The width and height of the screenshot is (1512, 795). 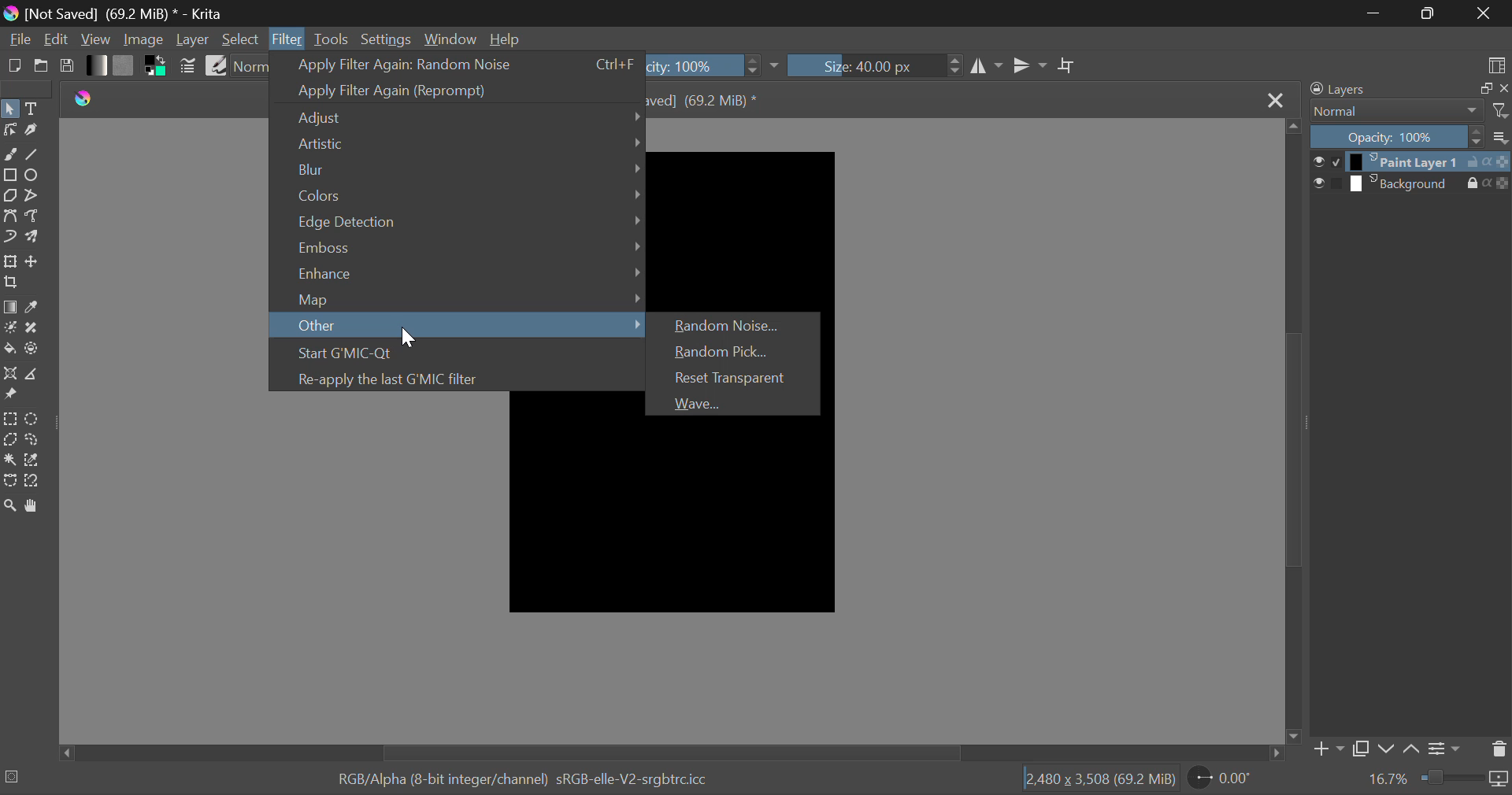 What do you see at coordinates (32, 217) in the screenshot?
I see `Freehand Path Tool` at bounding box center [32, 217].